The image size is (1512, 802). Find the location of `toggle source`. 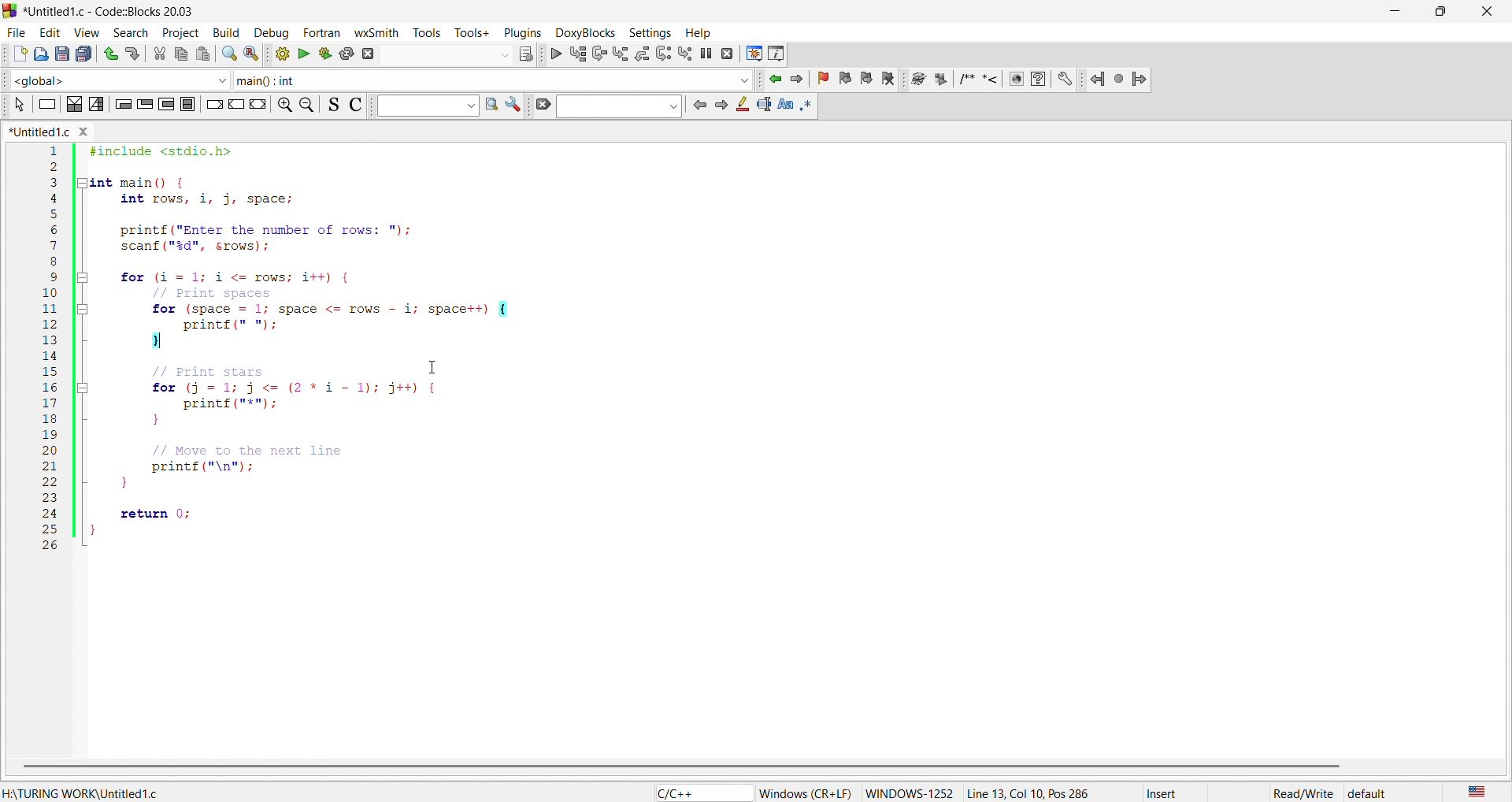

toggle source is located at coordinates (334, 106).